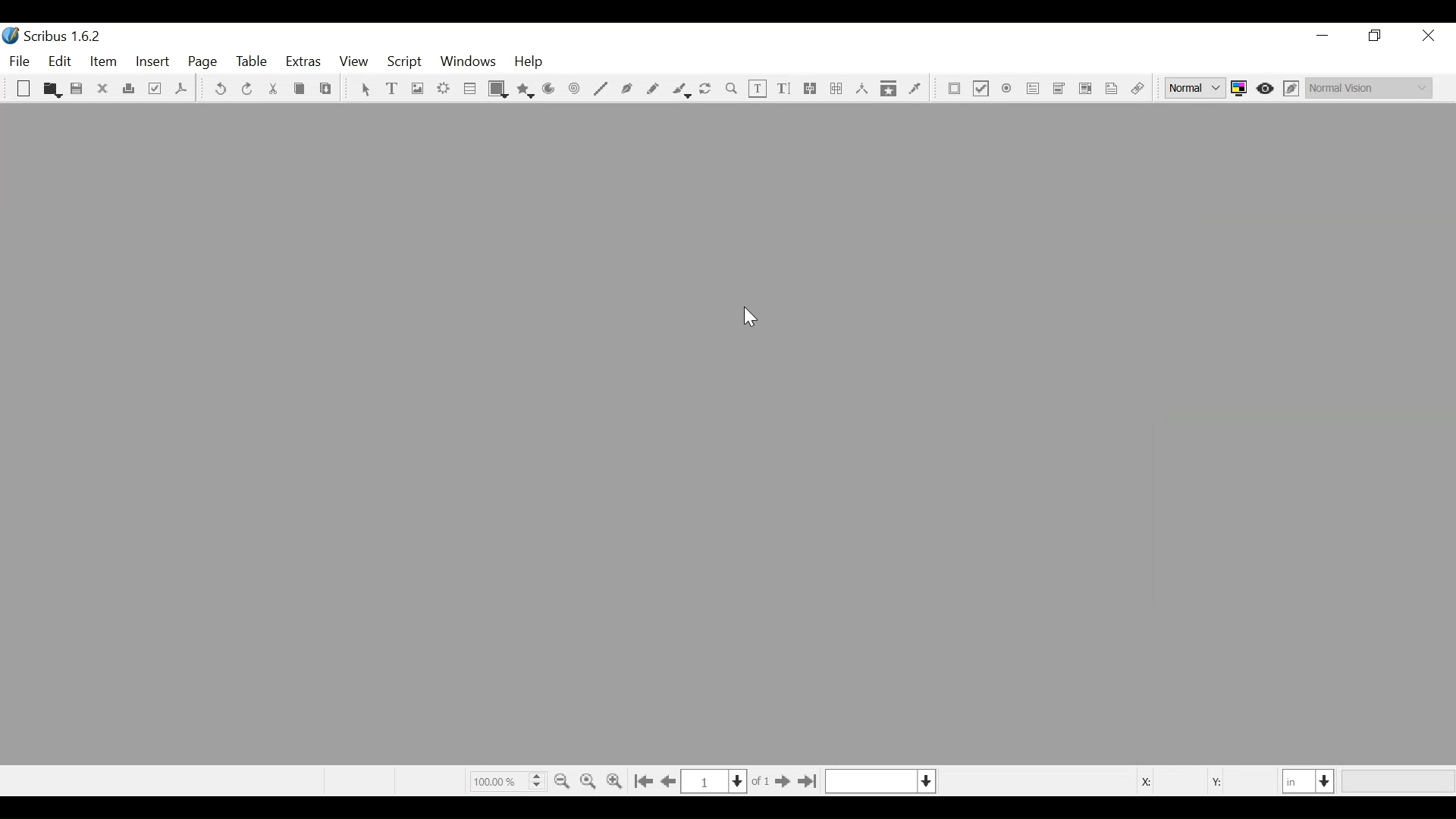  Describe the element at coordinates (889, 88) in the screenshot. I see `Copy Item properties` at that location.